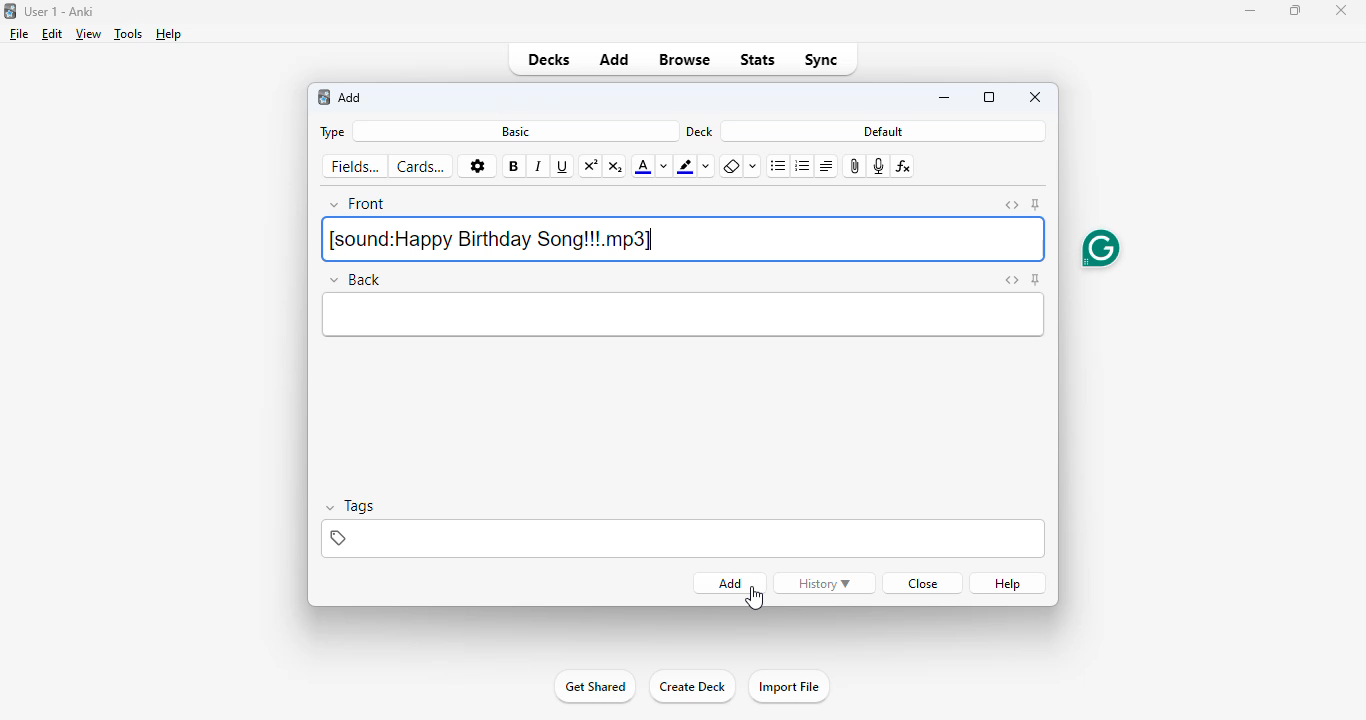 Image resolution: width=1366 pixels, height=720 pixels. What do you see at coordinates (1341, 10) in the screenshot?
I see `close` at bounding box center [1341, 10].